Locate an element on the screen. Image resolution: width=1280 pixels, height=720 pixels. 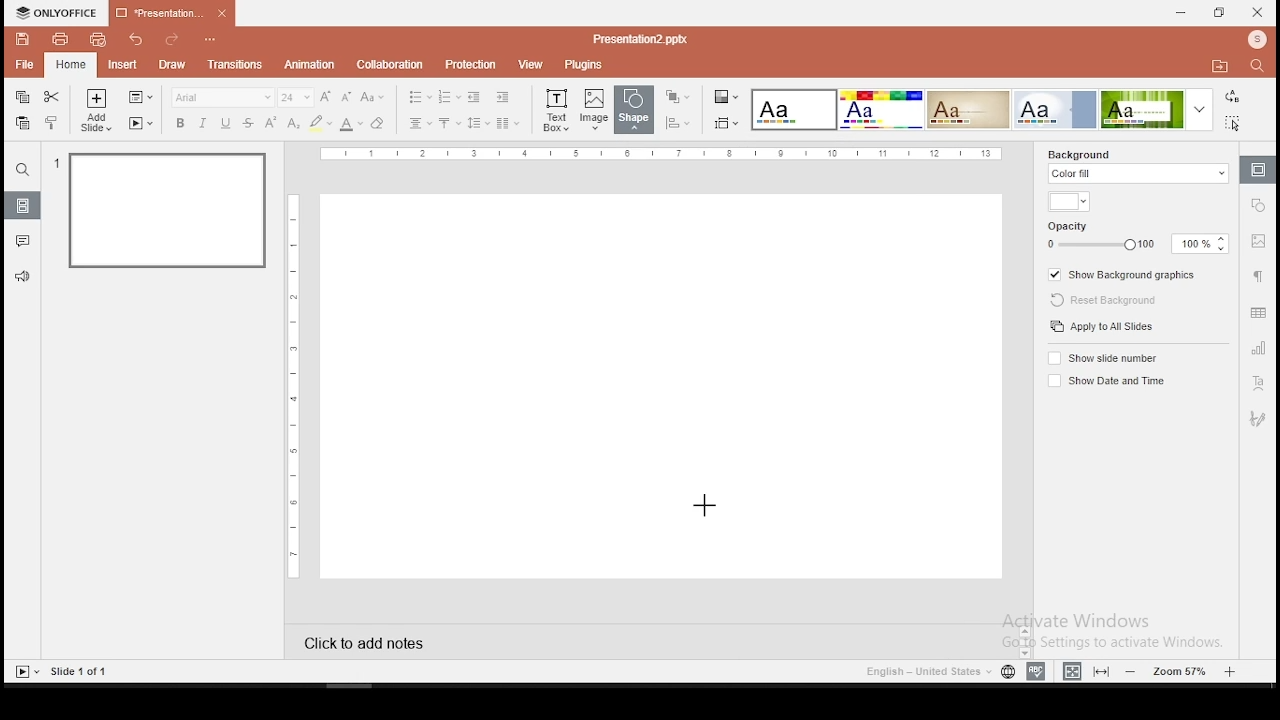
numbering is located at coordinates (450, 96).